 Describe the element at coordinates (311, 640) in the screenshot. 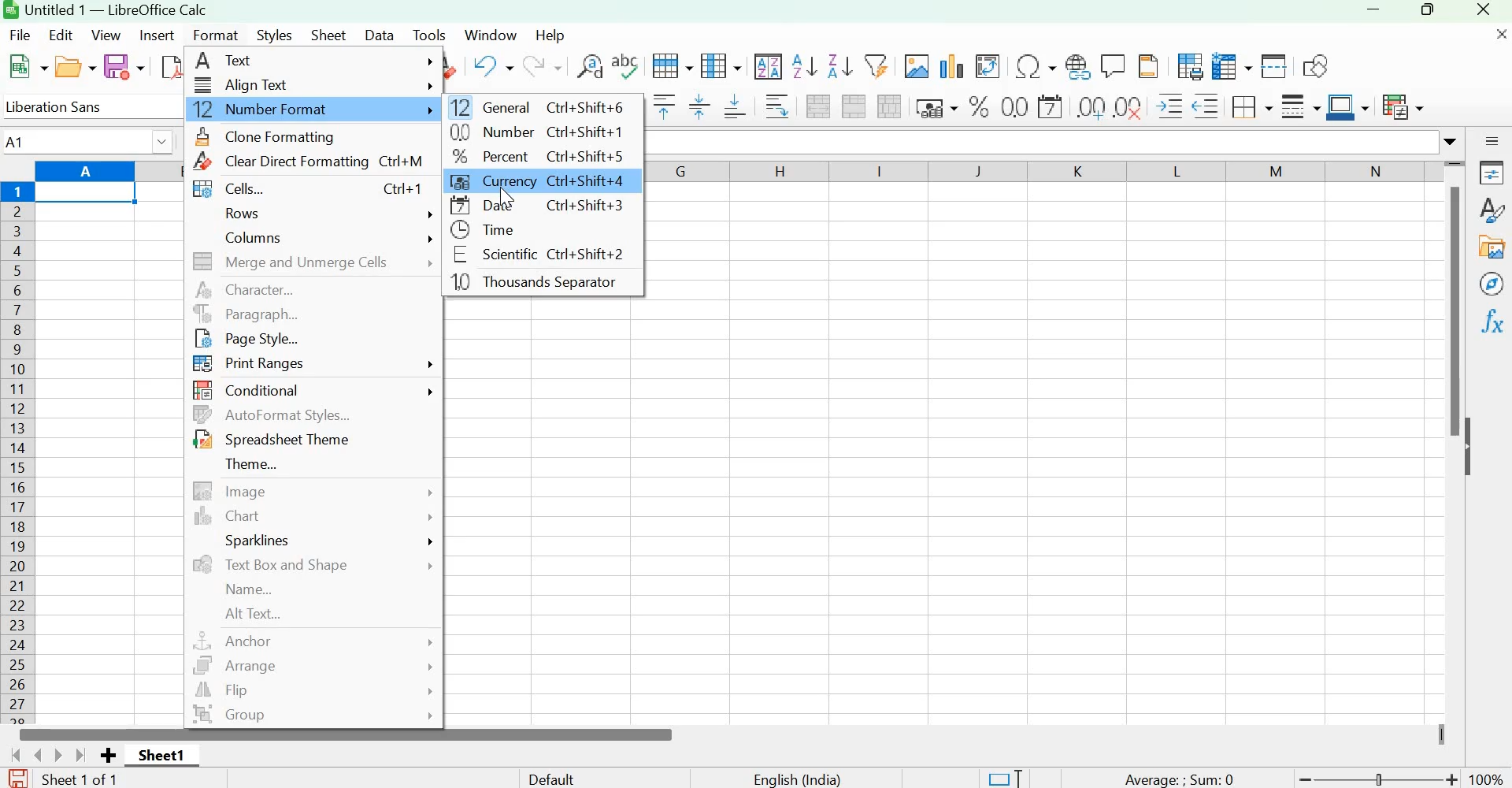

I see `Anchor` at that location.